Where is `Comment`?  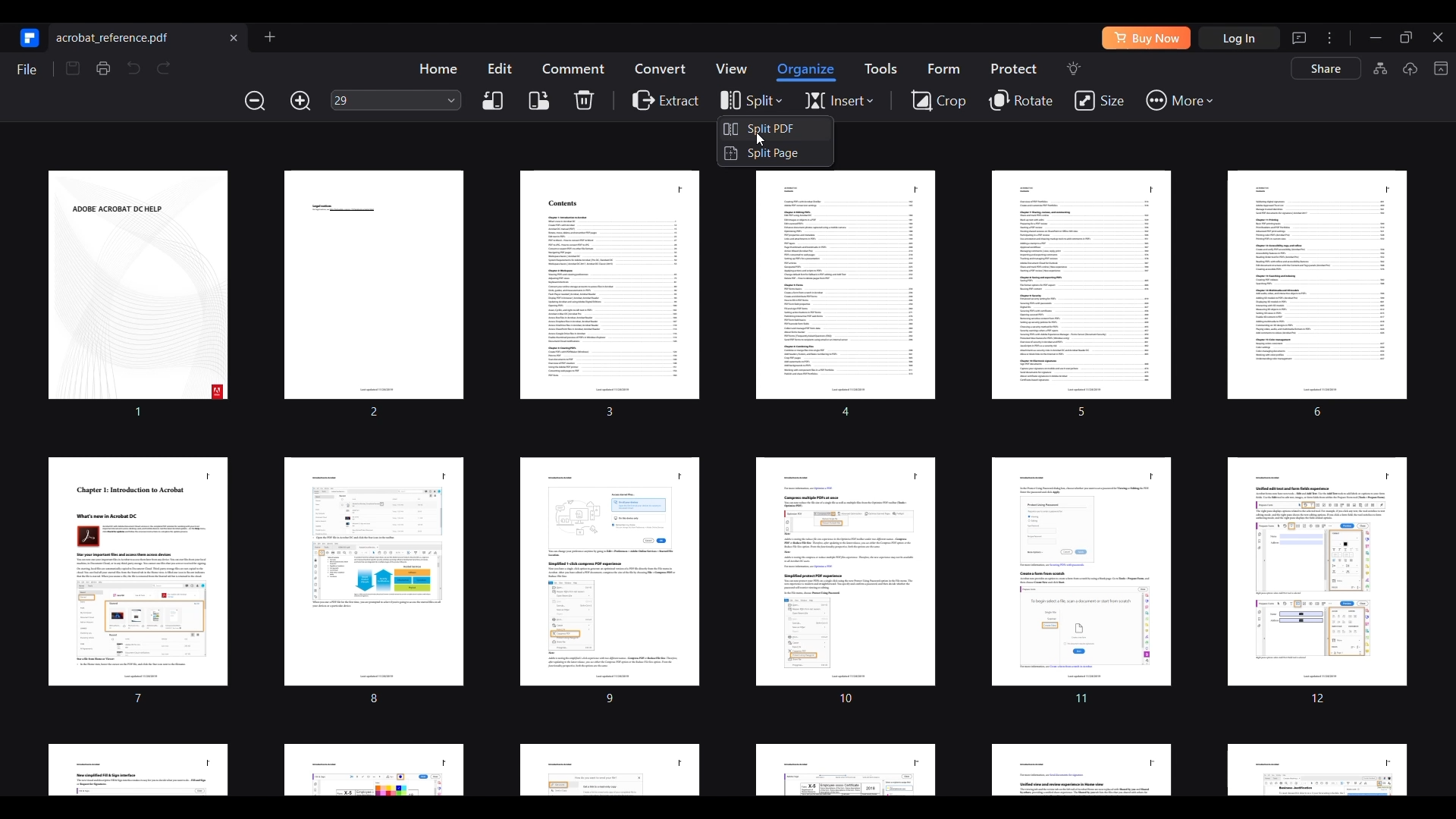 Comment is located at coordinates (573, 68).